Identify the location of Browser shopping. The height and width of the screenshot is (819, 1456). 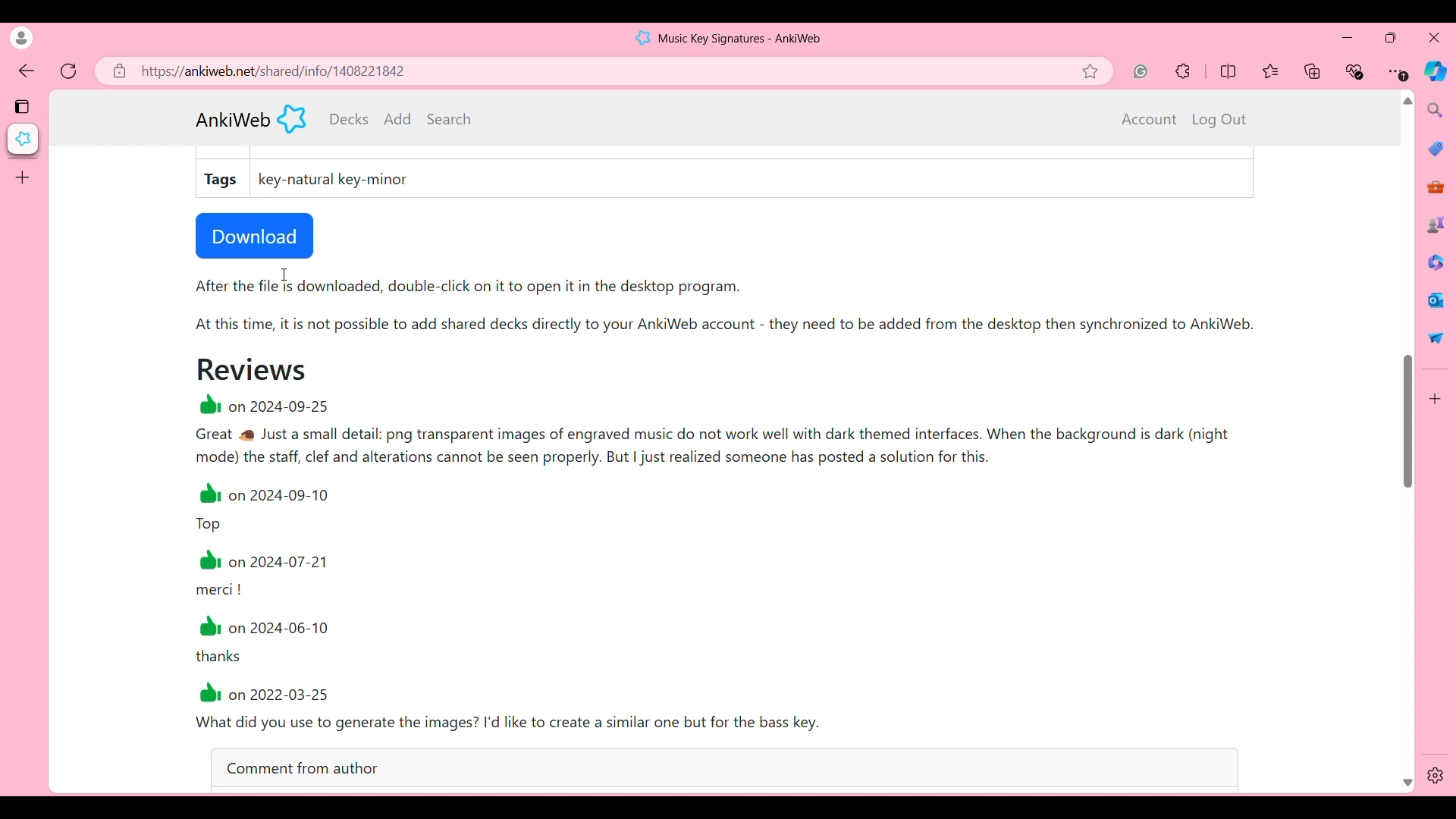
(1436, 148).